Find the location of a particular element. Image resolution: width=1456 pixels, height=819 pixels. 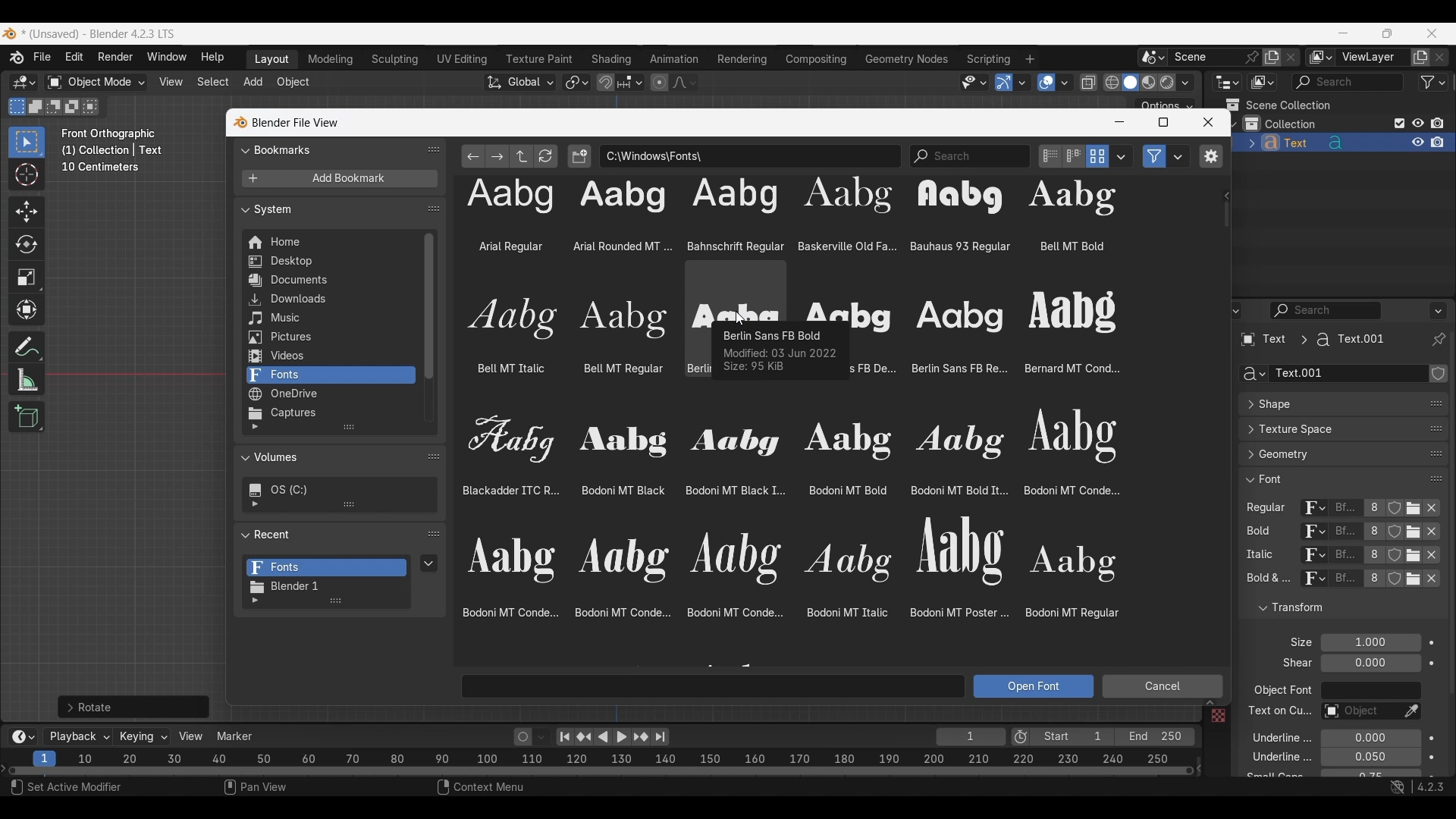

Change order in the list is located at coordinates (1436, 626).